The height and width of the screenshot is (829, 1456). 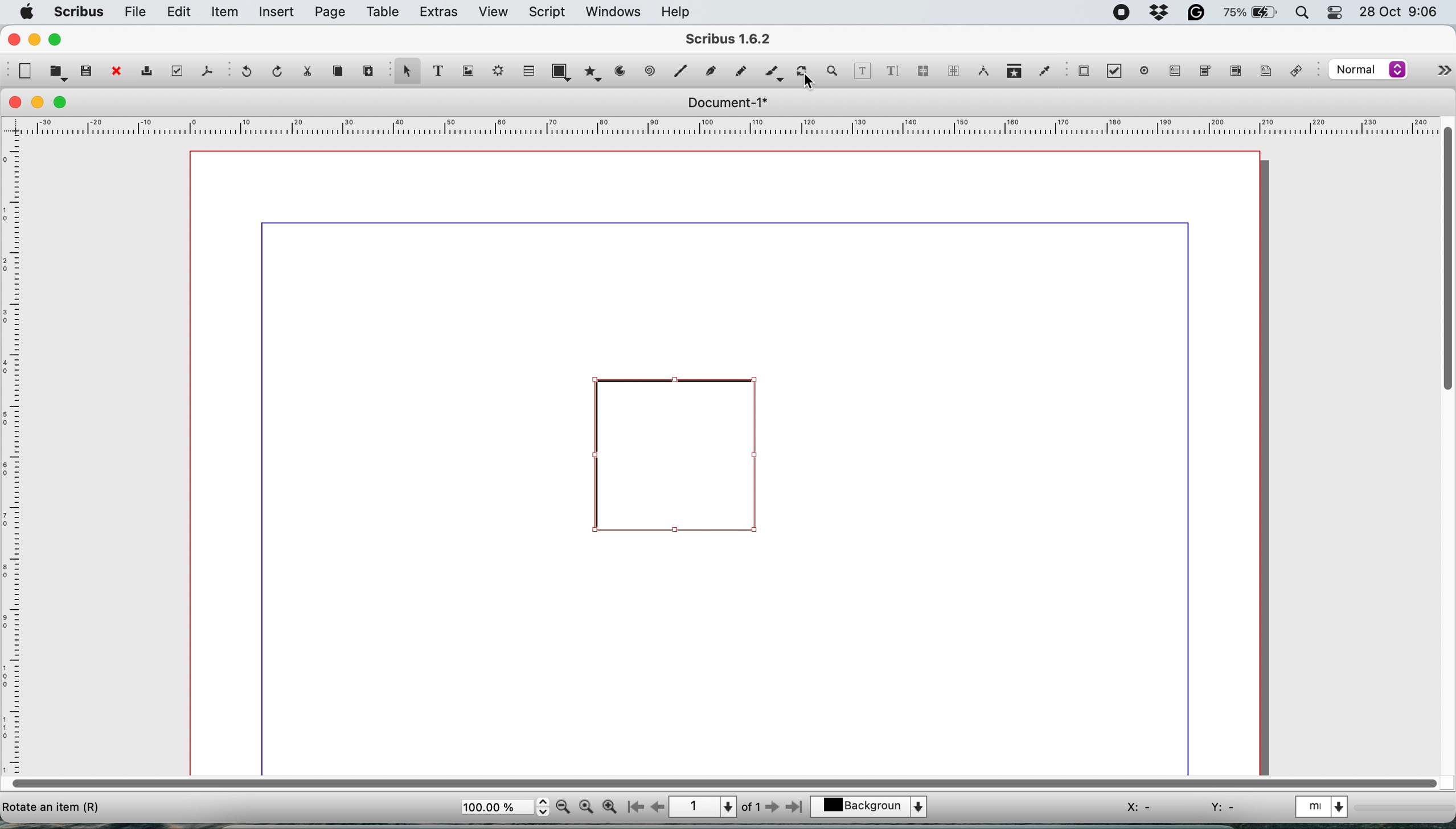 What do you see at coordinates (25, 71) in the screenshot?
I see `new` at bounding box center [25, 71].